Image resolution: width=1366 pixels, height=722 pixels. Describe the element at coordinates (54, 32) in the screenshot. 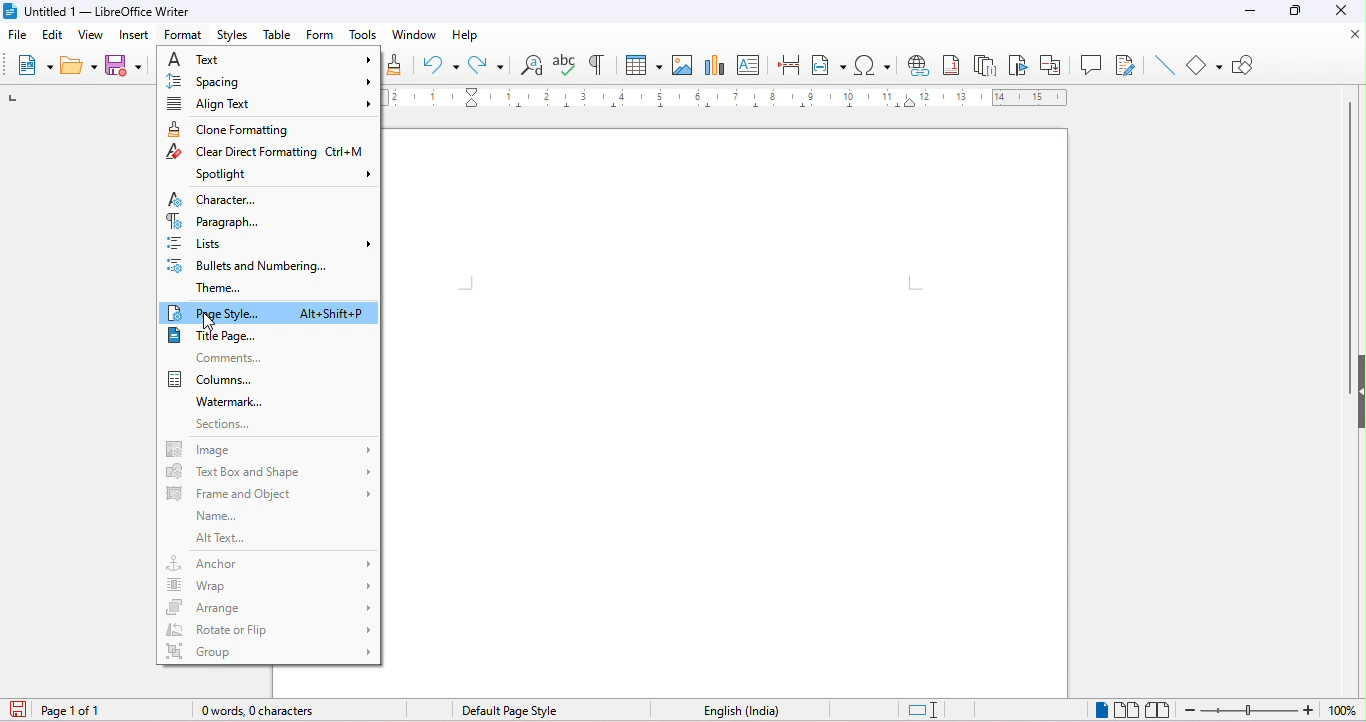

I see `edit` at that location.